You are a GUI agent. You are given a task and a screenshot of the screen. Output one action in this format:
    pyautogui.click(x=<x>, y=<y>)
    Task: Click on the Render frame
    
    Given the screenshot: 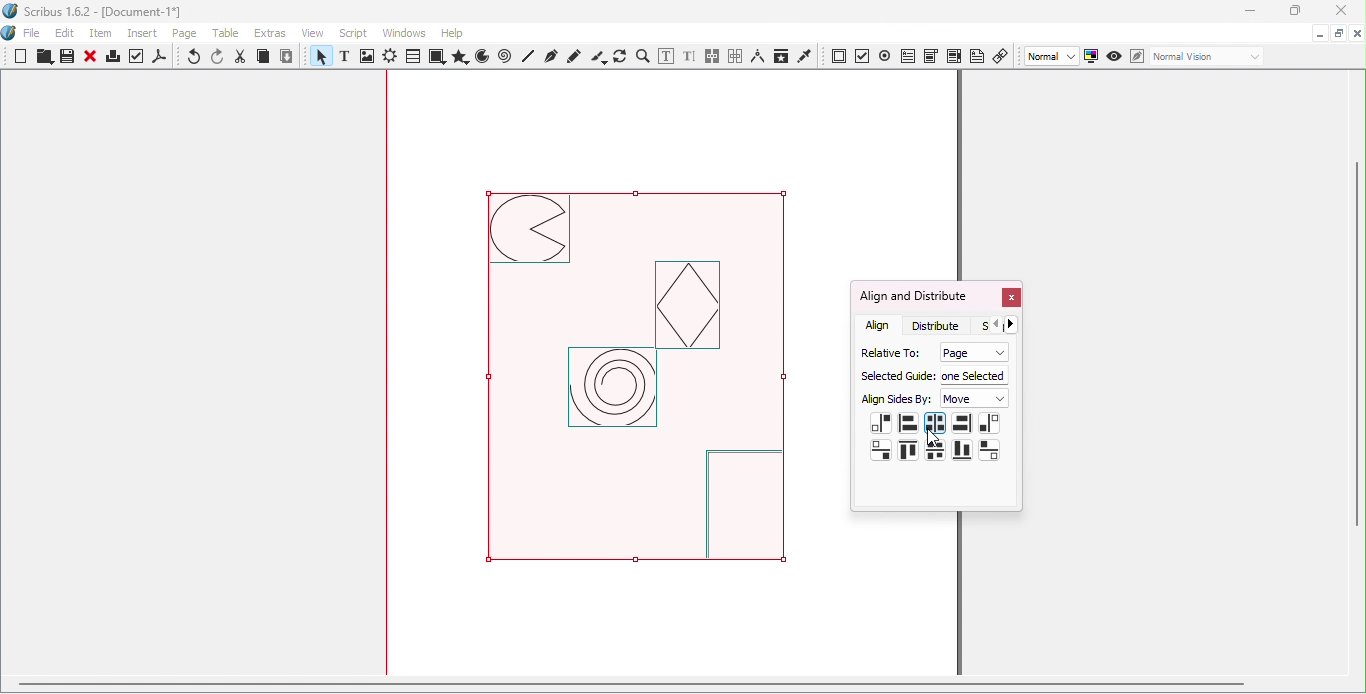 What is the action you would take?
    pyautogui.click(x=390, y=58)
    